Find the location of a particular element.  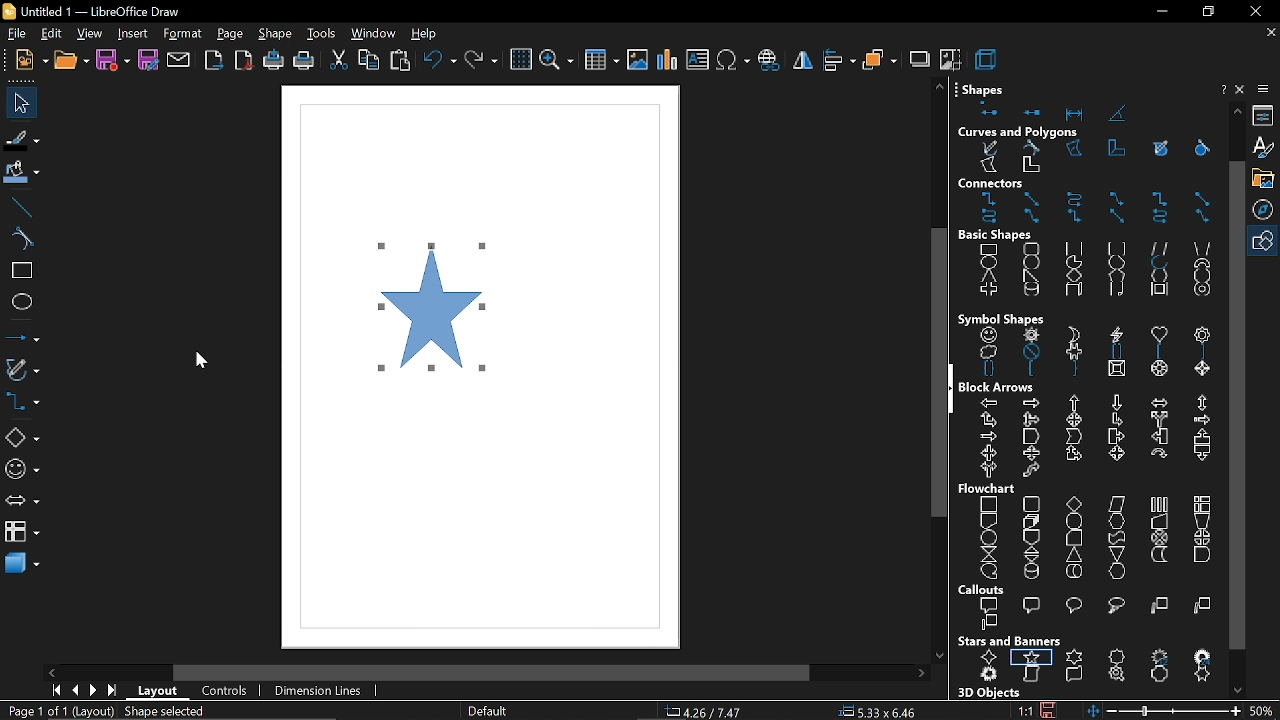

insert hyperlink is located at coordinates (770, 61).